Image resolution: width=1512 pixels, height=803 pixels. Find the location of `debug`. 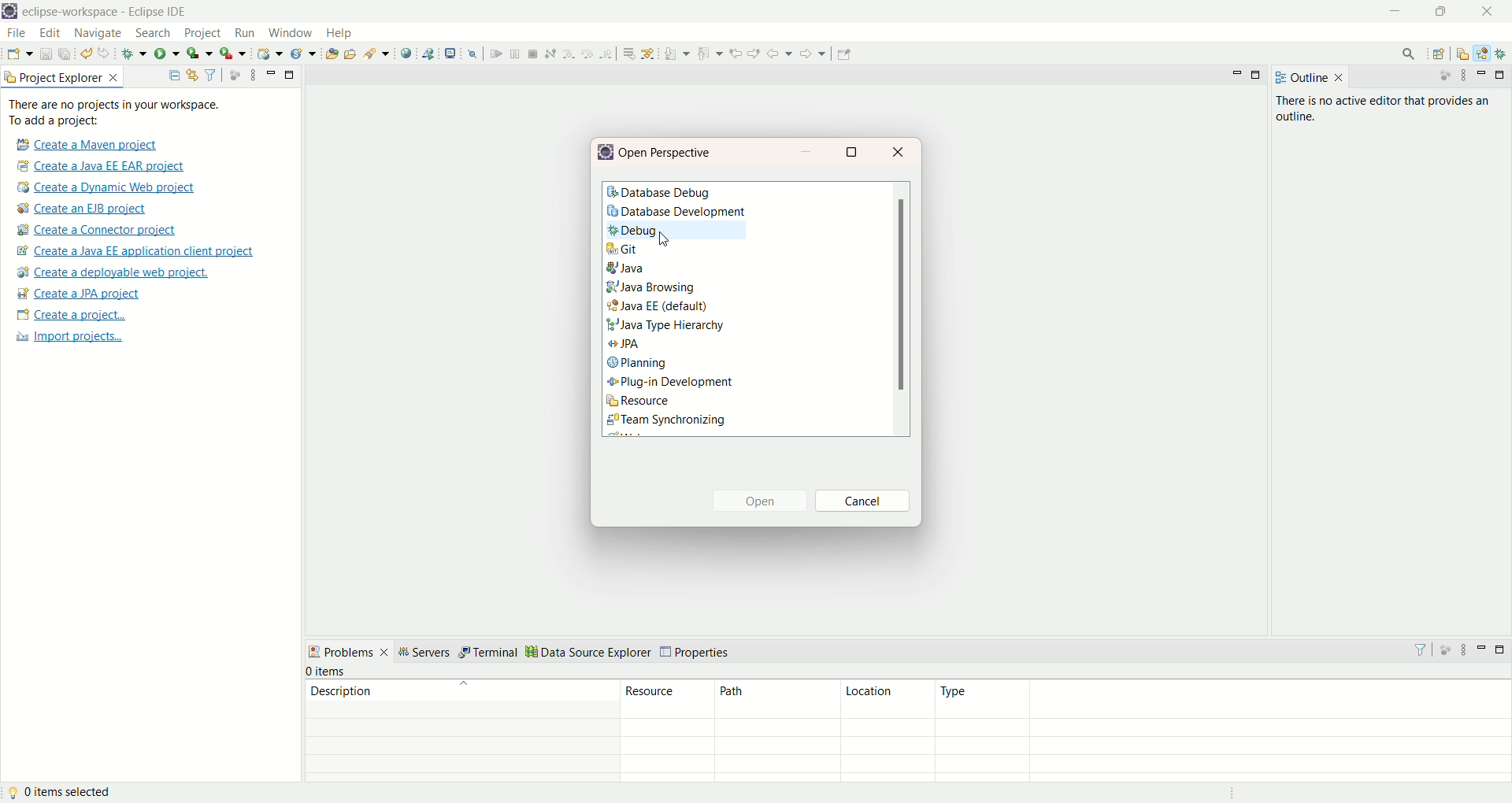

debug is located at coordinates (678, 232).